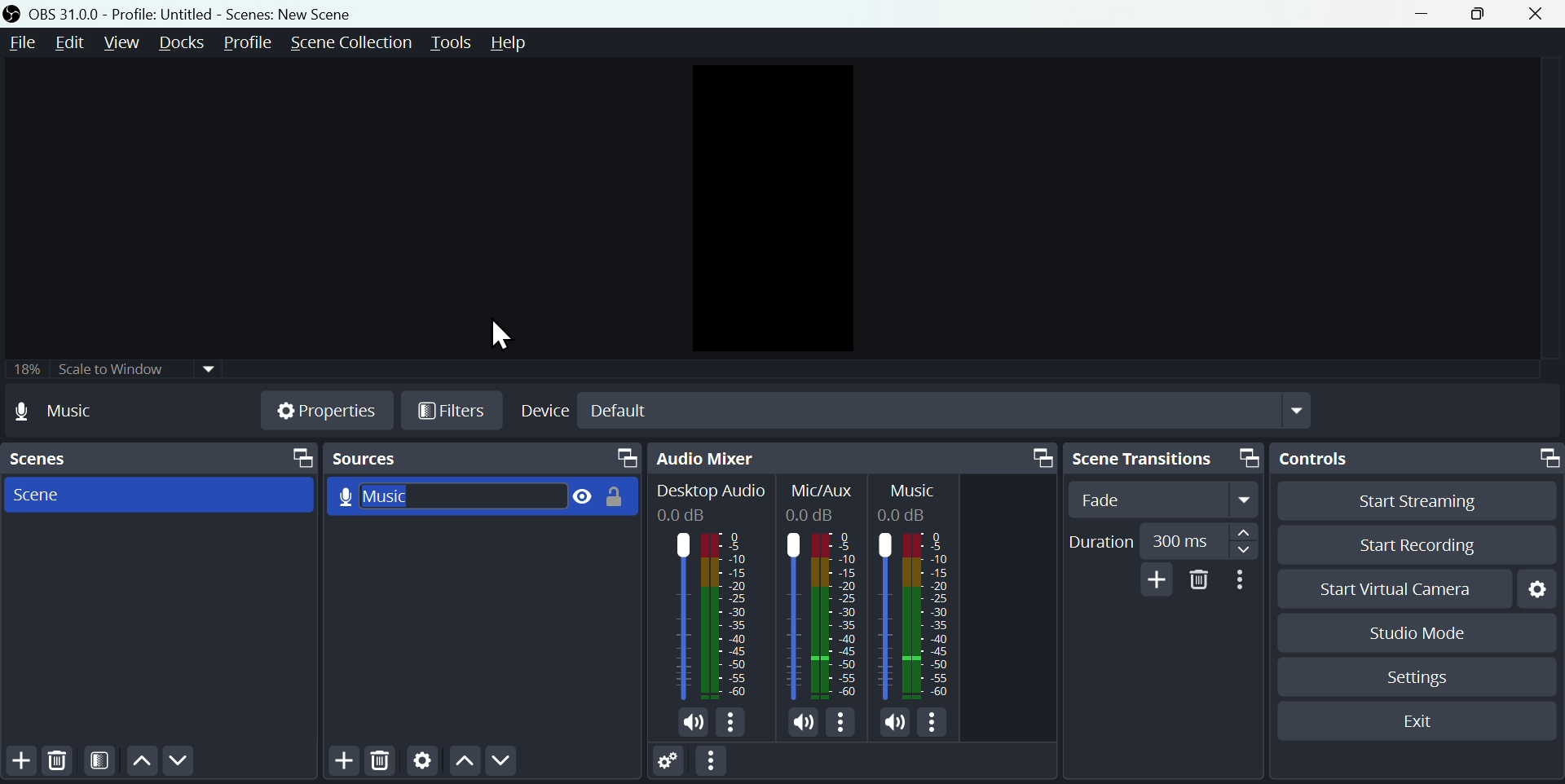 The image size is (1565, 784). Describe the element at coordinates (669, 763) in the screenshot. I see `Settings` at that location.